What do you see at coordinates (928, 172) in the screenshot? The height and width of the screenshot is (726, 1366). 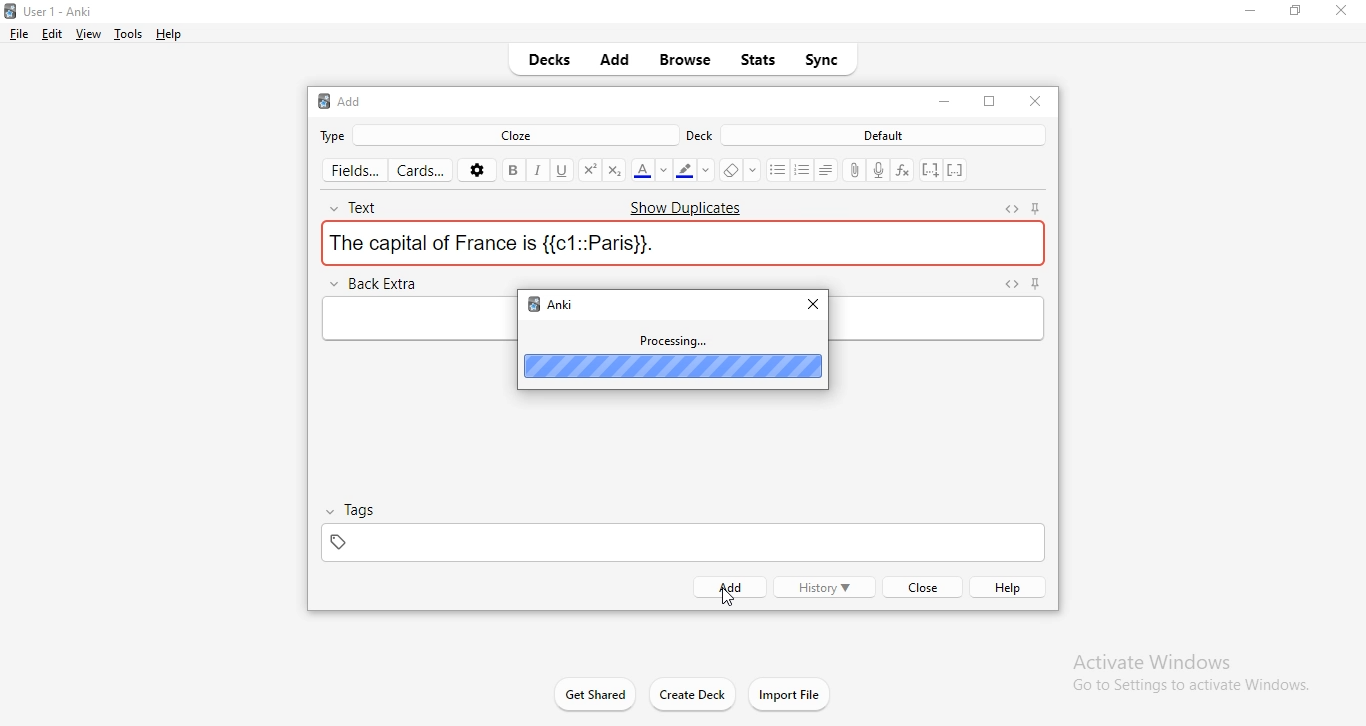 I see `add cloze` at bounding box center [928, 172].